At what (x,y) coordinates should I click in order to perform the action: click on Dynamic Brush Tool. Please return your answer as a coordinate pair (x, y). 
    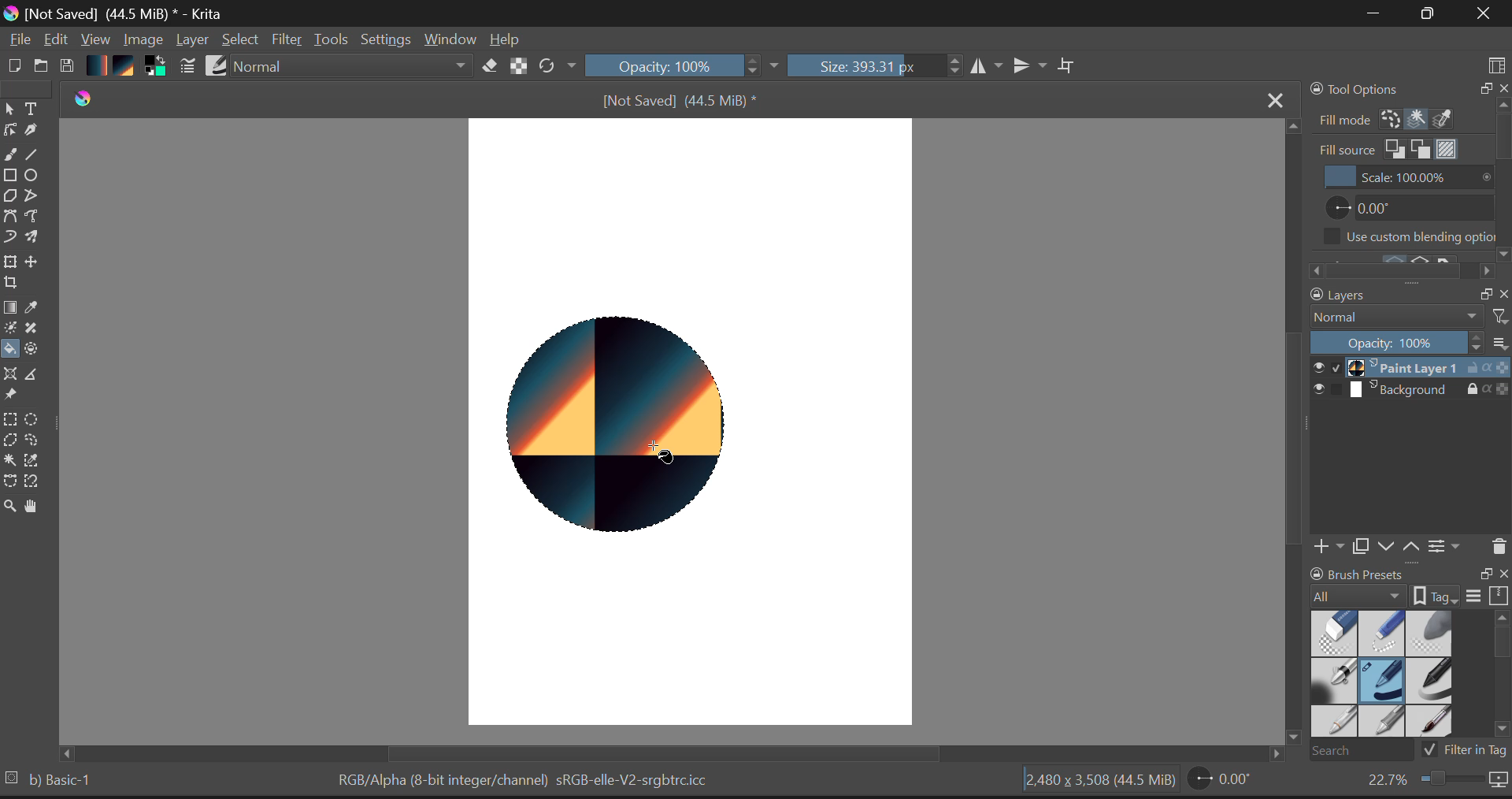
    Looking at the image, I should click on (9, 237).